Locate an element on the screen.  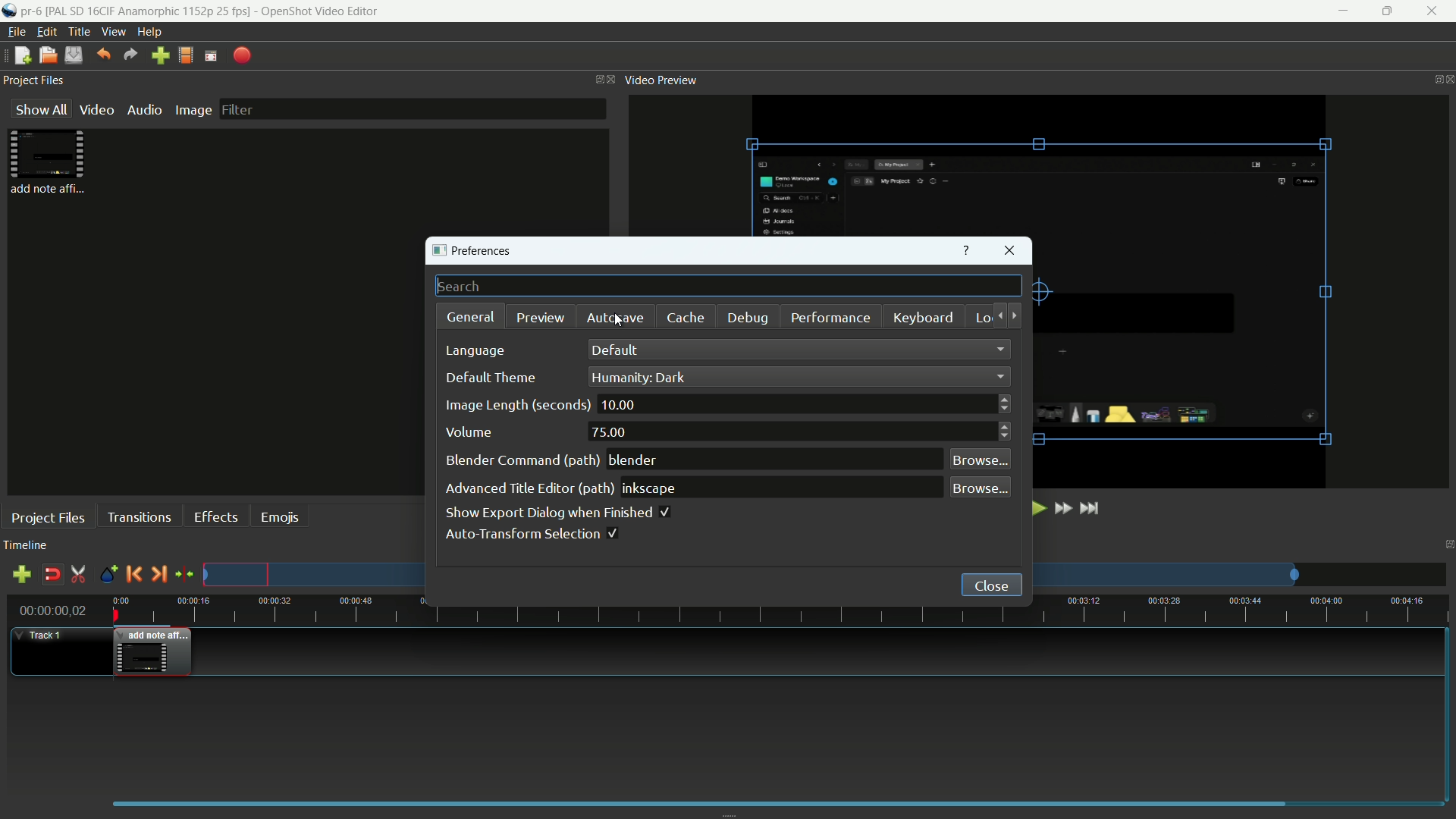
track-1 is located at coordinates (48, 635).